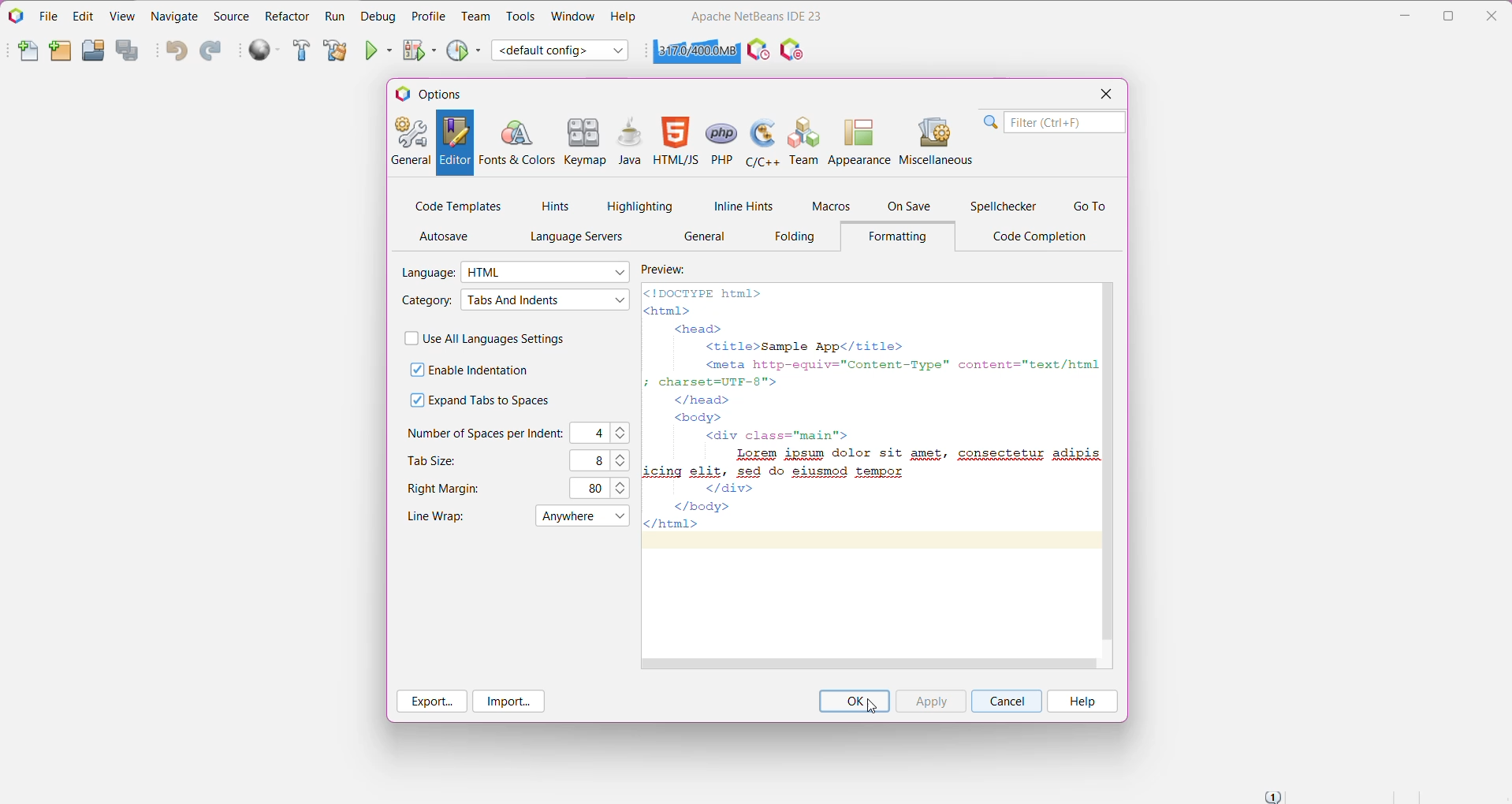  Describe the element at coordinates (420, 50) in the screenshot. I see `Debug Project` at that location.